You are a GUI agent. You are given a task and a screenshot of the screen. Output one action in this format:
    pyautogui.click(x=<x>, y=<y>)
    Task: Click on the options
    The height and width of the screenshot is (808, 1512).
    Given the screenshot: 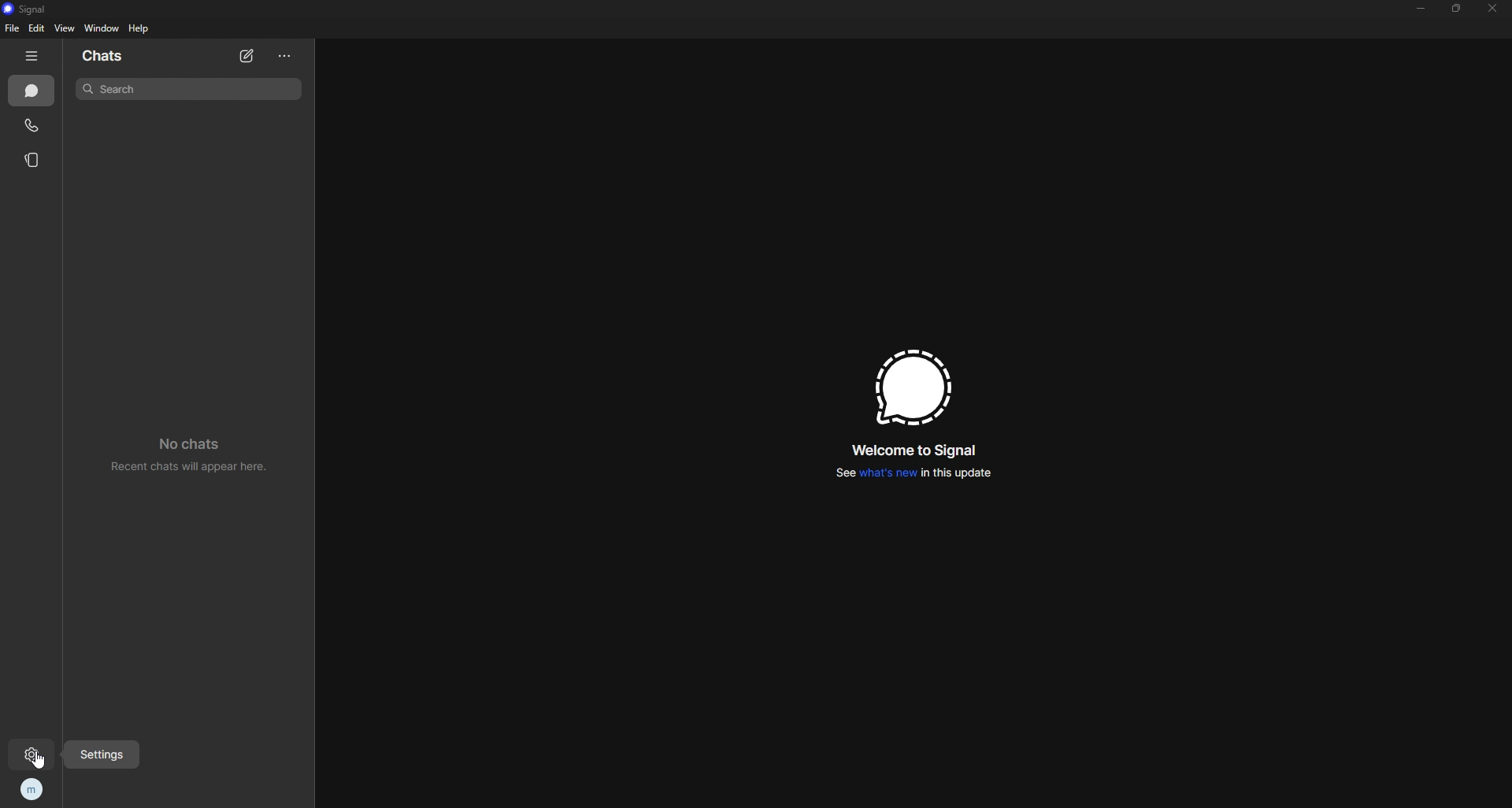 What is the action you would take?
    pyautogui.click(x=286, y=57)
    